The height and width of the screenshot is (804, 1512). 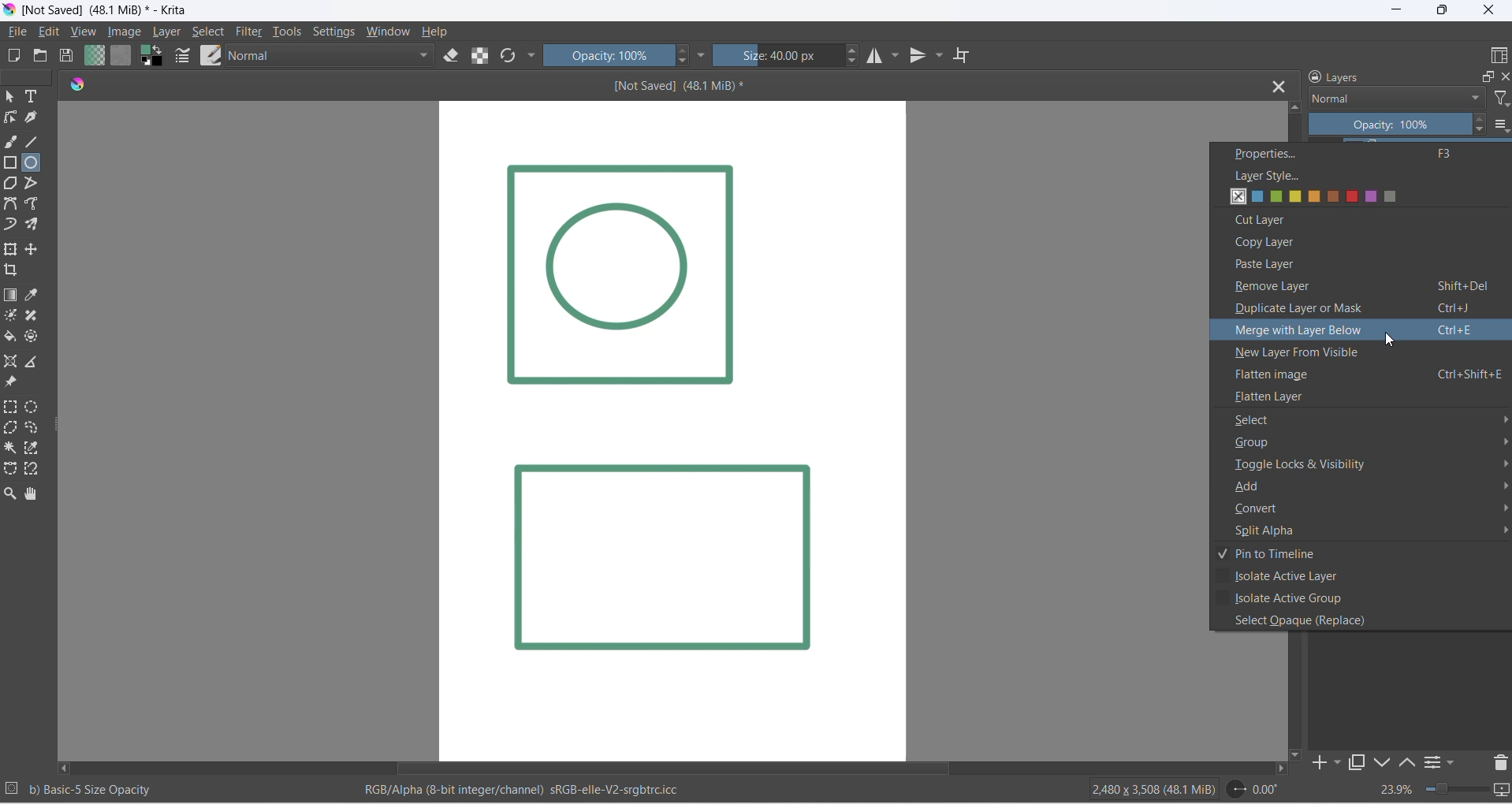 I want to click on [Not Saved] (48.1 Mib)* - Krita, so click(x=114, y=11).